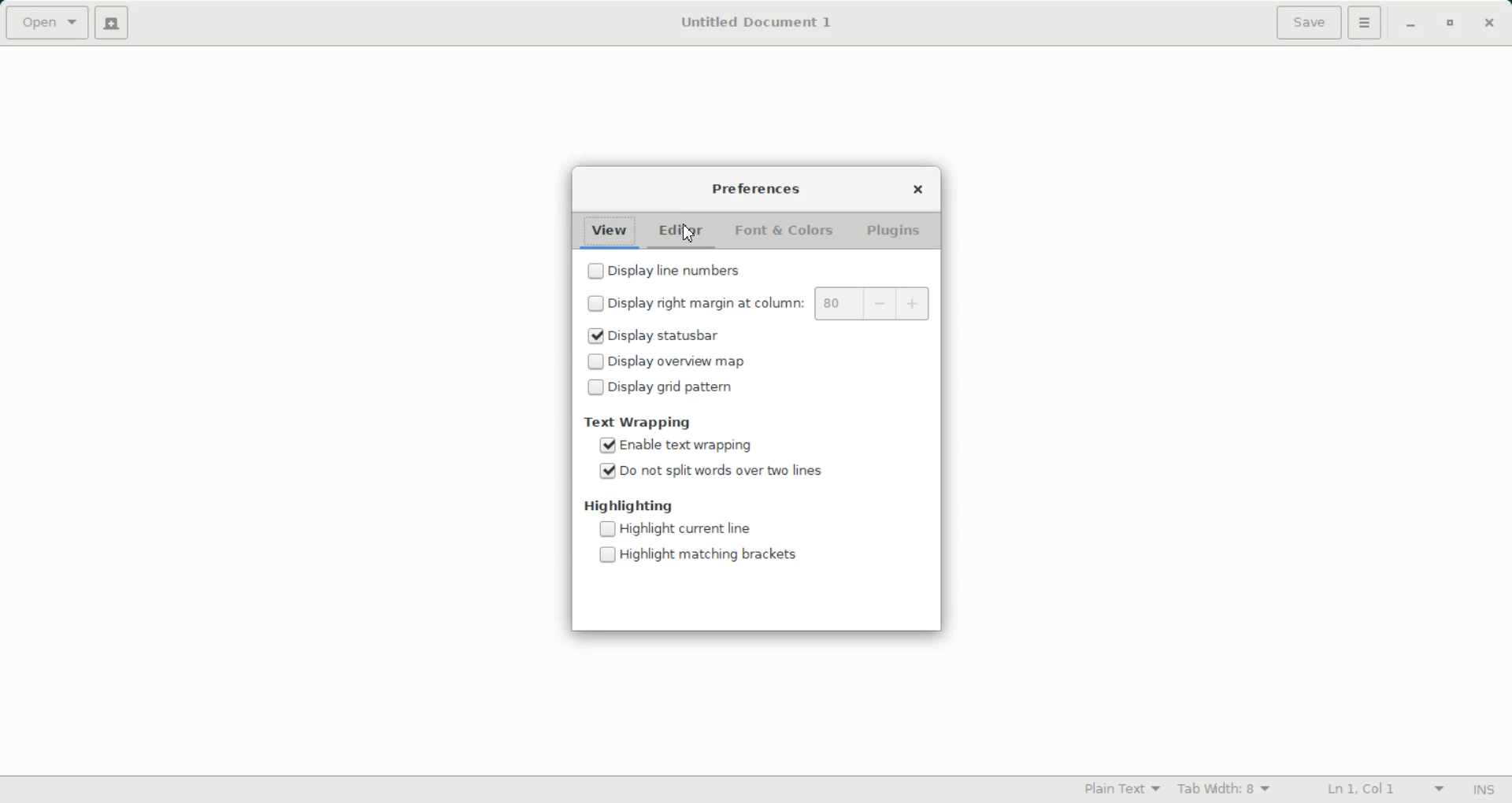 Image resolution: width=1512 pixels, height=803 pixels. I want to click on (un)check Enable Display statusbar, so click(755, 336).